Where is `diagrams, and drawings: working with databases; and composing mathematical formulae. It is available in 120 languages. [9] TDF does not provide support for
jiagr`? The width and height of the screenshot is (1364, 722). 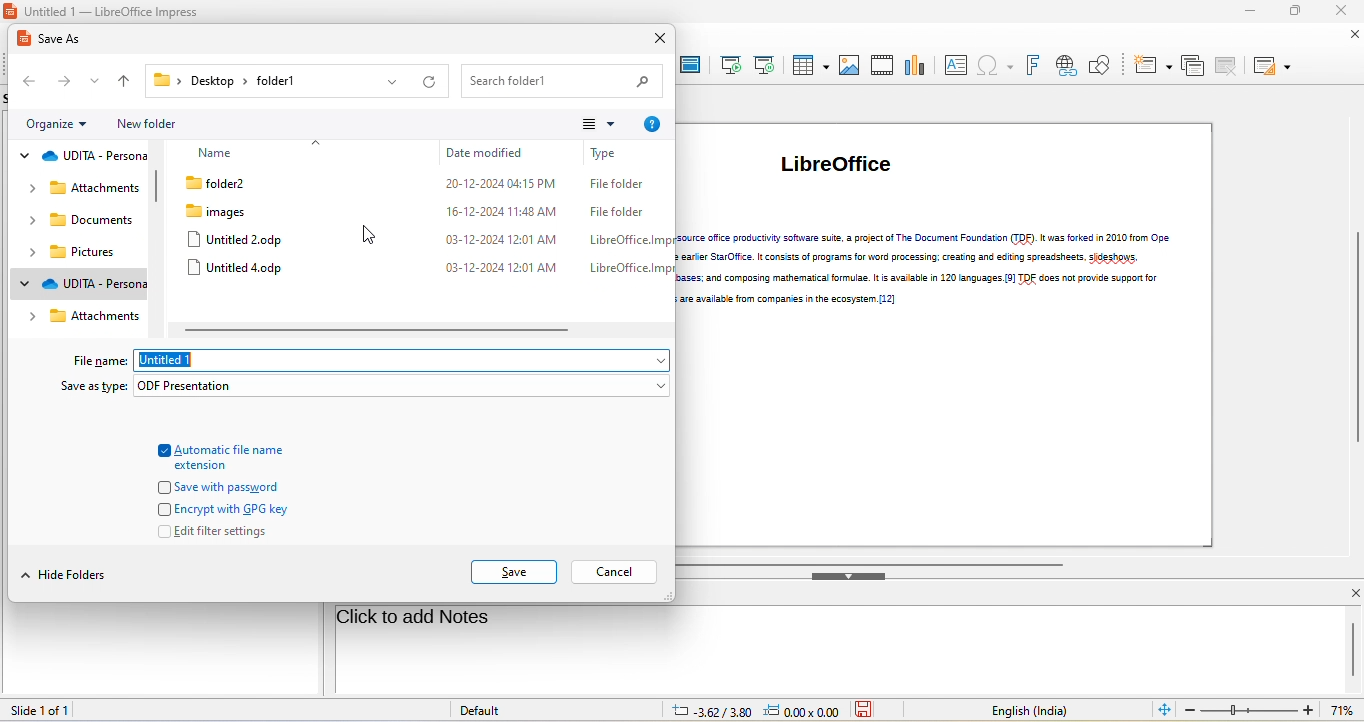 diagrams, and drawings: working with databases; and composing mathematical formulae. It is available in 120 languages. [9] TDF does not provide support for
jiagr is located at coordinates (924, 279).